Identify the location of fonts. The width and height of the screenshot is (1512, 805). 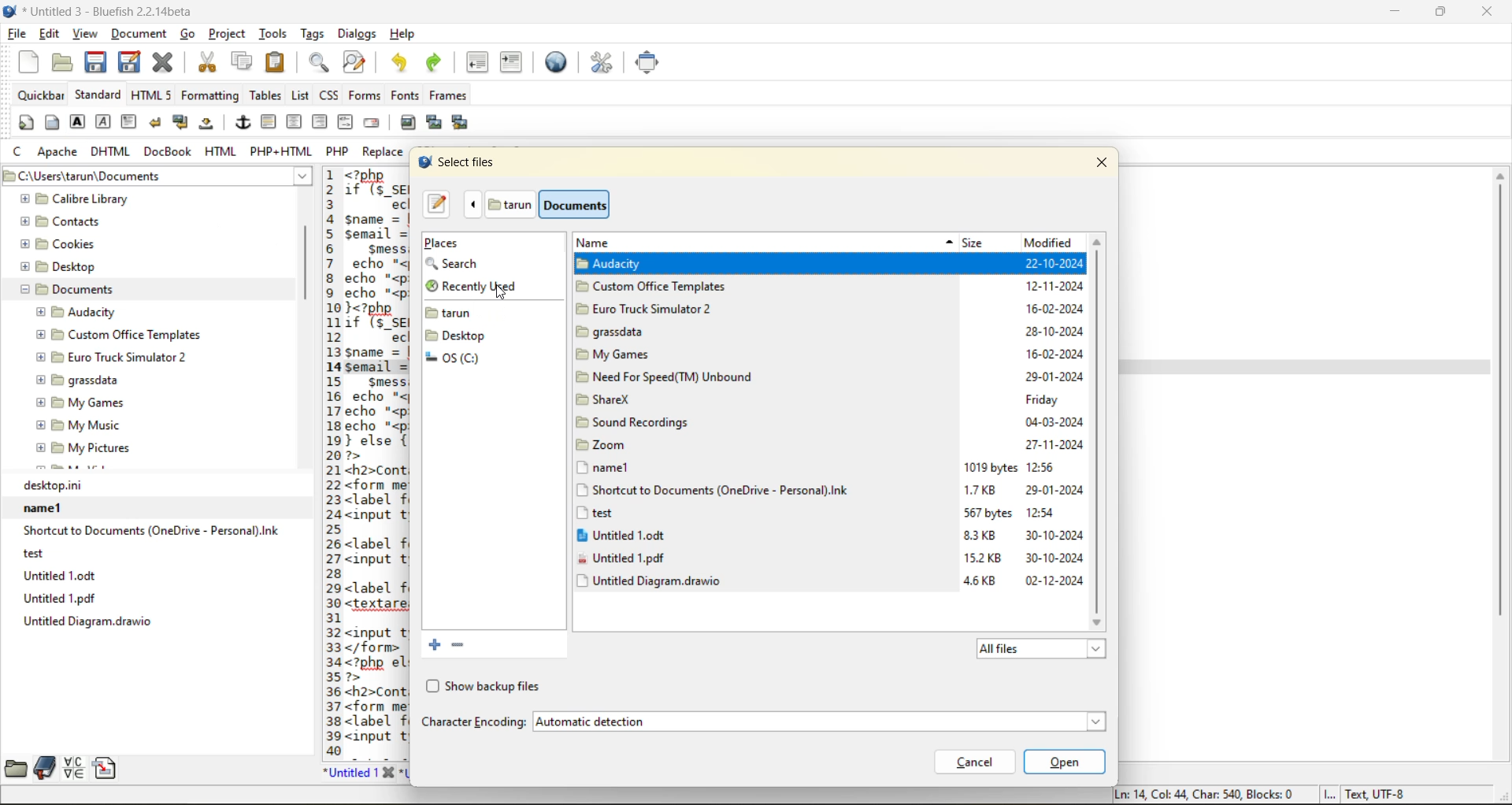
(402, 97).